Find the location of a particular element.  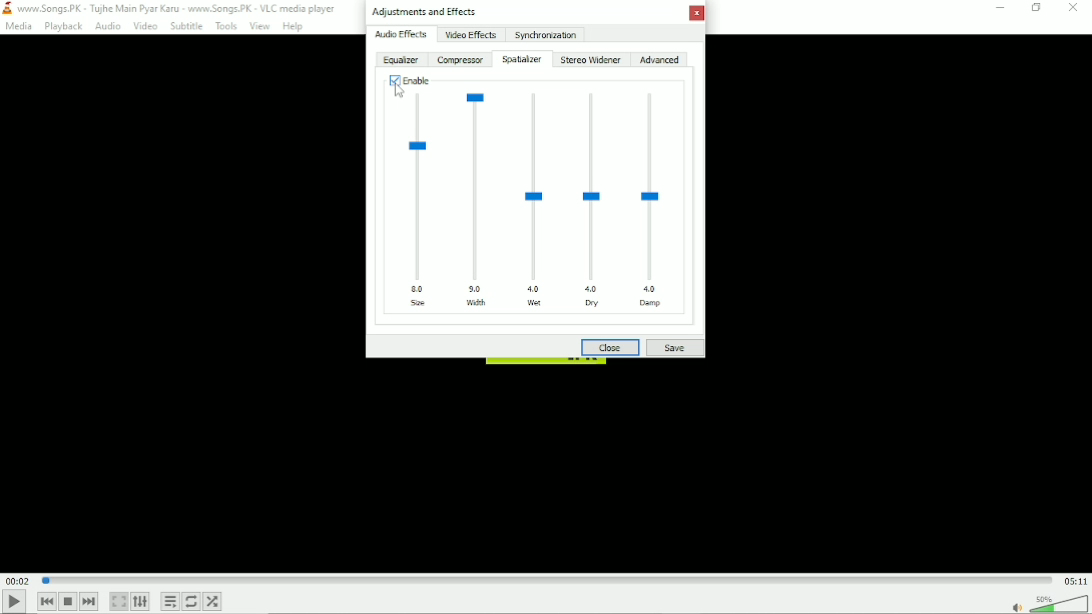

Play is located at coordinates (14, 602).